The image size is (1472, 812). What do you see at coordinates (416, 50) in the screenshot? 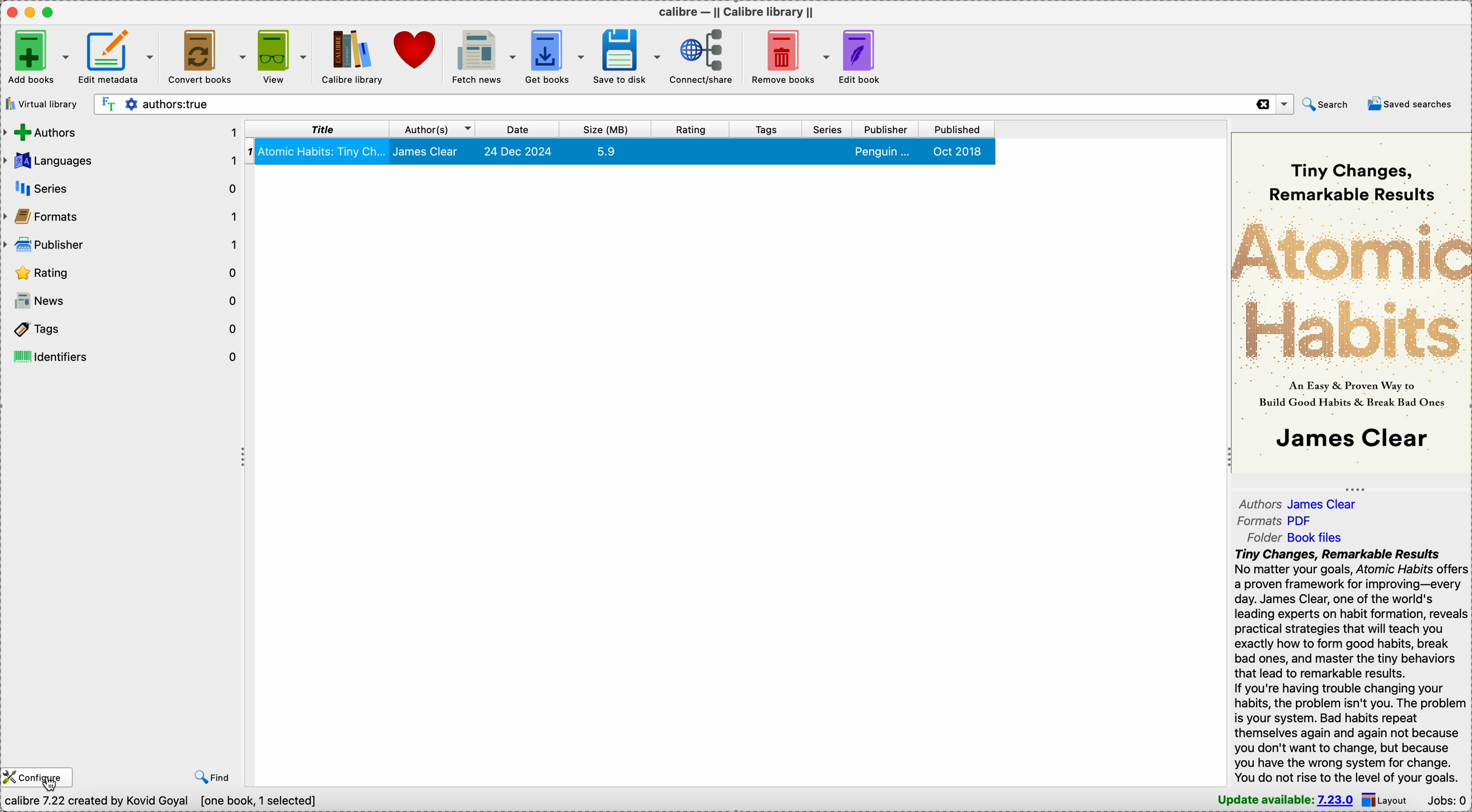
I see `donate` at bounding box center [416, 50].